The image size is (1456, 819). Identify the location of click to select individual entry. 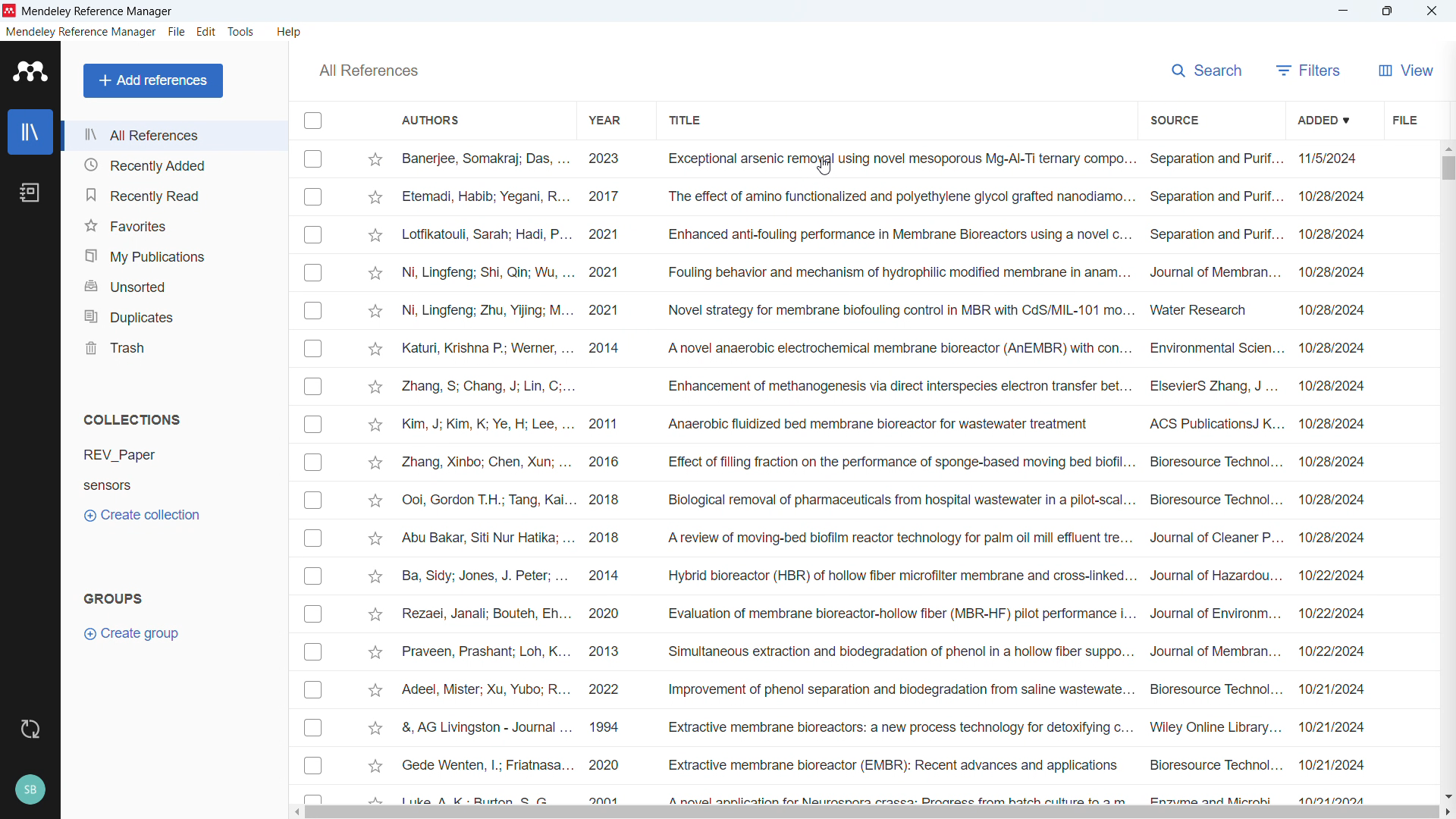
(312, 310).